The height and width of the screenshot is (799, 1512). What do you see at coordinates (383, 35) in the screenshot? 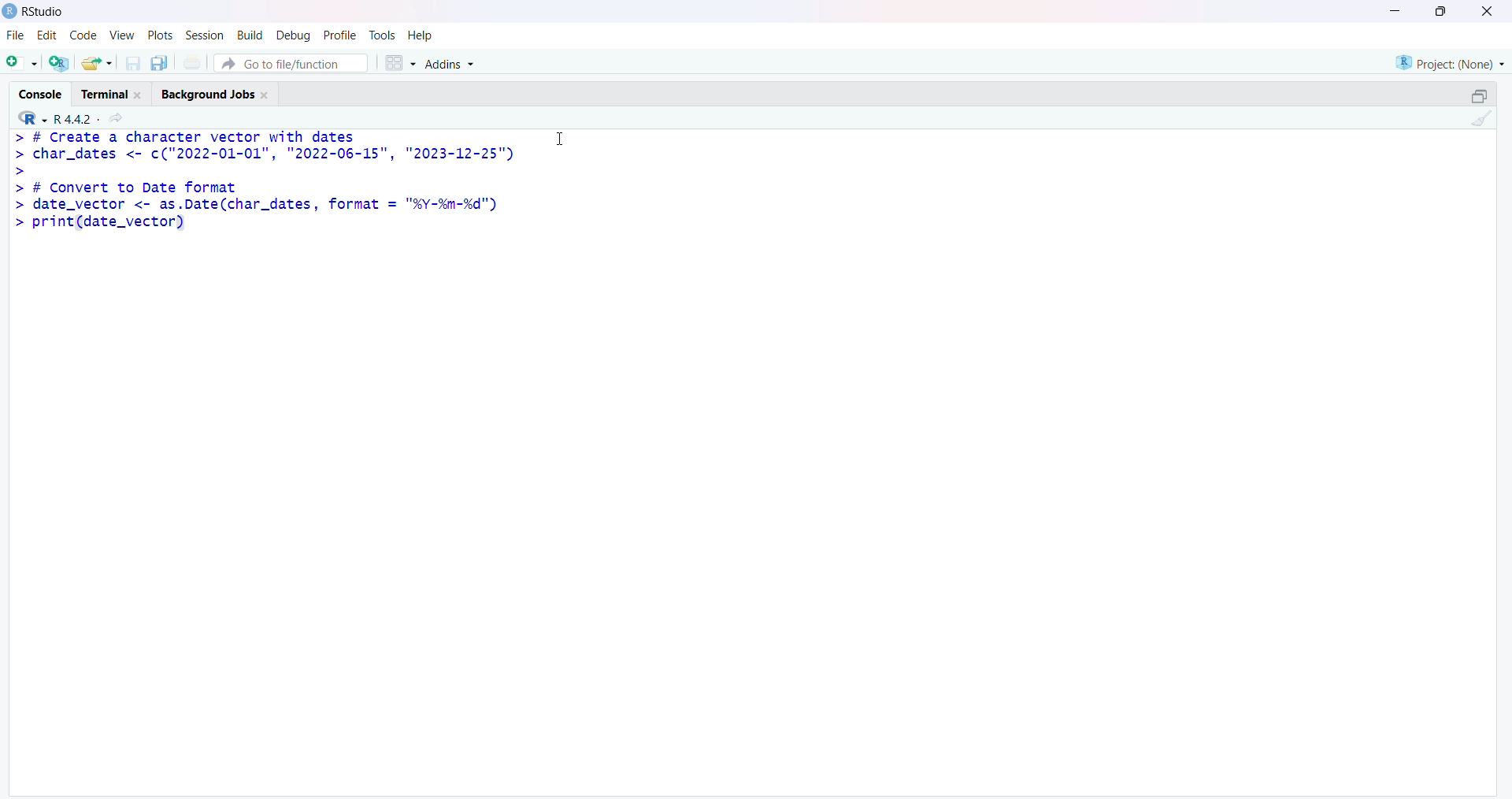
I see `Tools` at bounding box center [383, 35].